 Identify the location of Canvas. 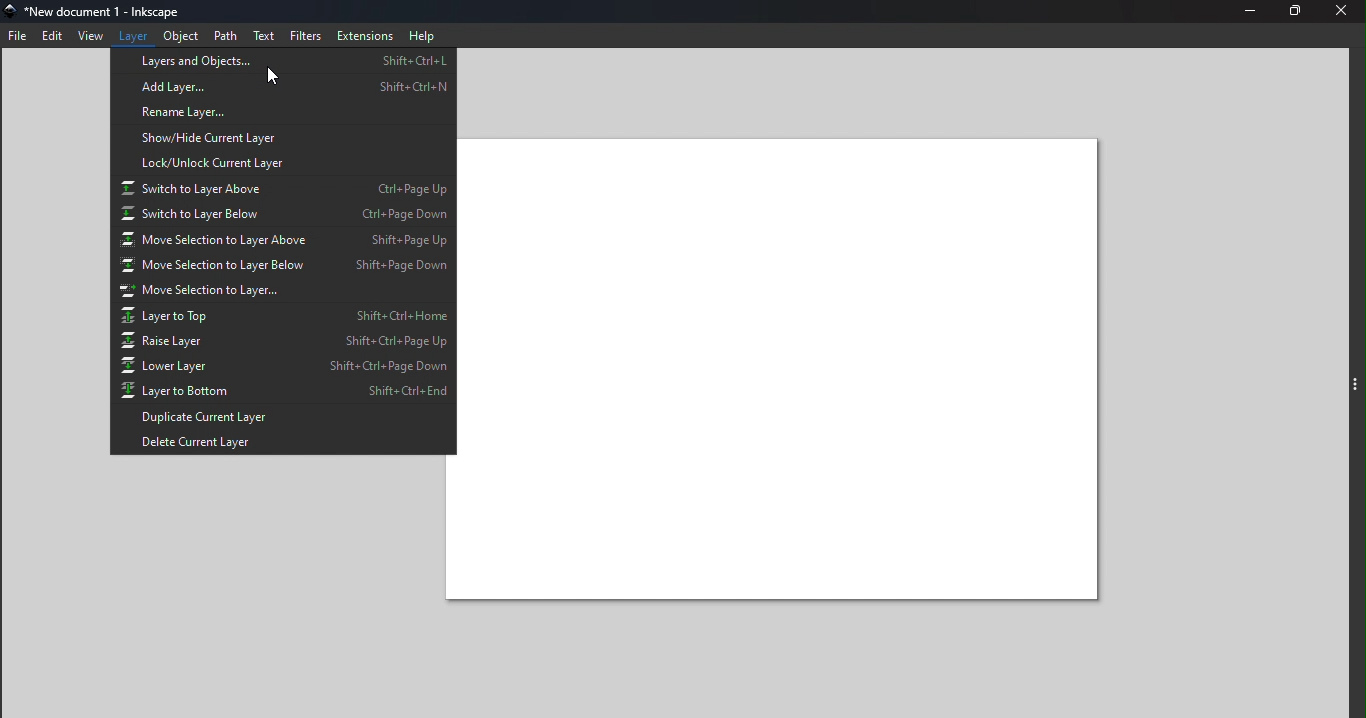
(782, 371).